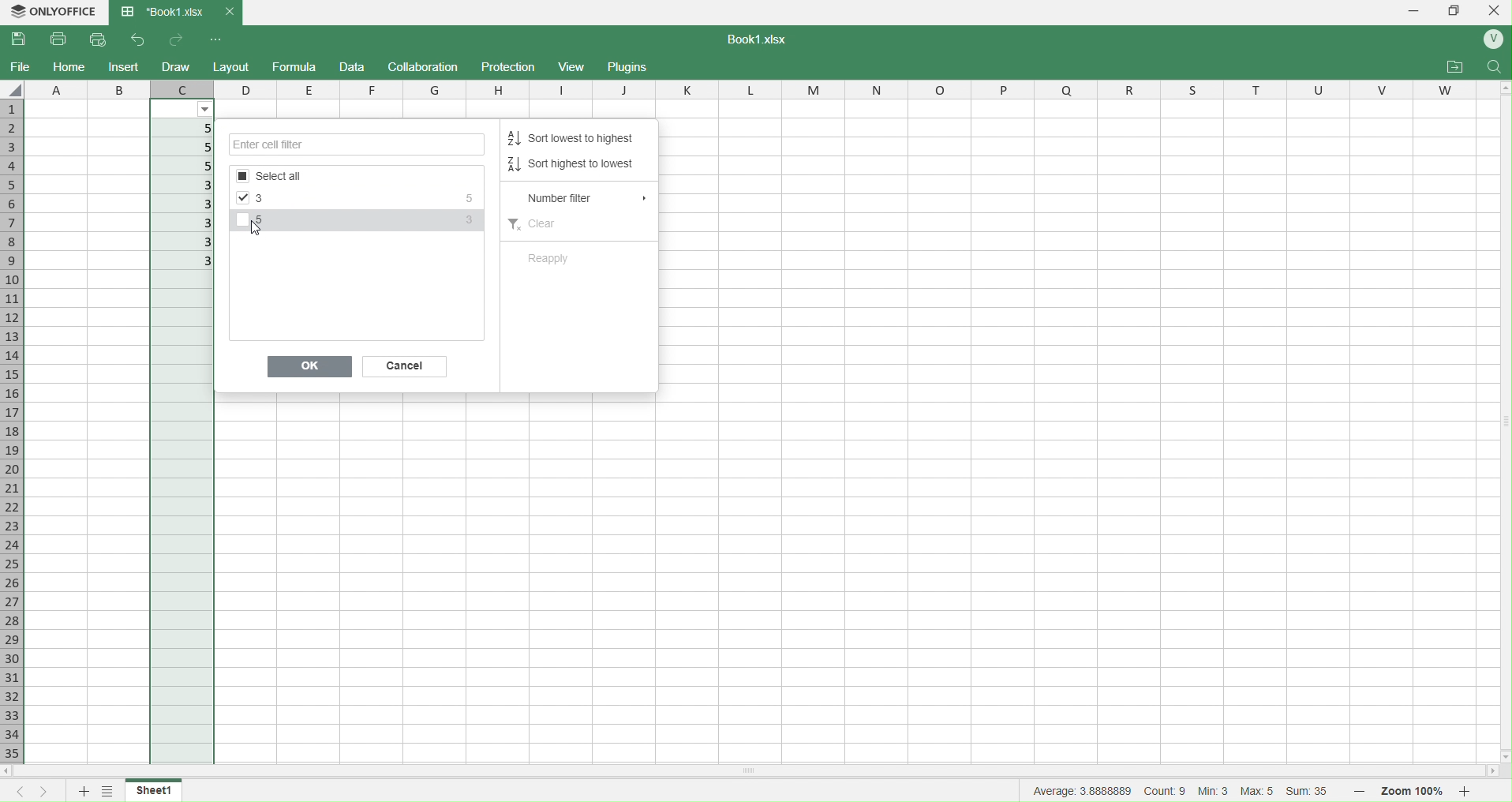 The height and width of the screenshot is (802, 1512). Describe the element at coordinates (256, 229) in the screenshot. I see `Cursor` at that location.